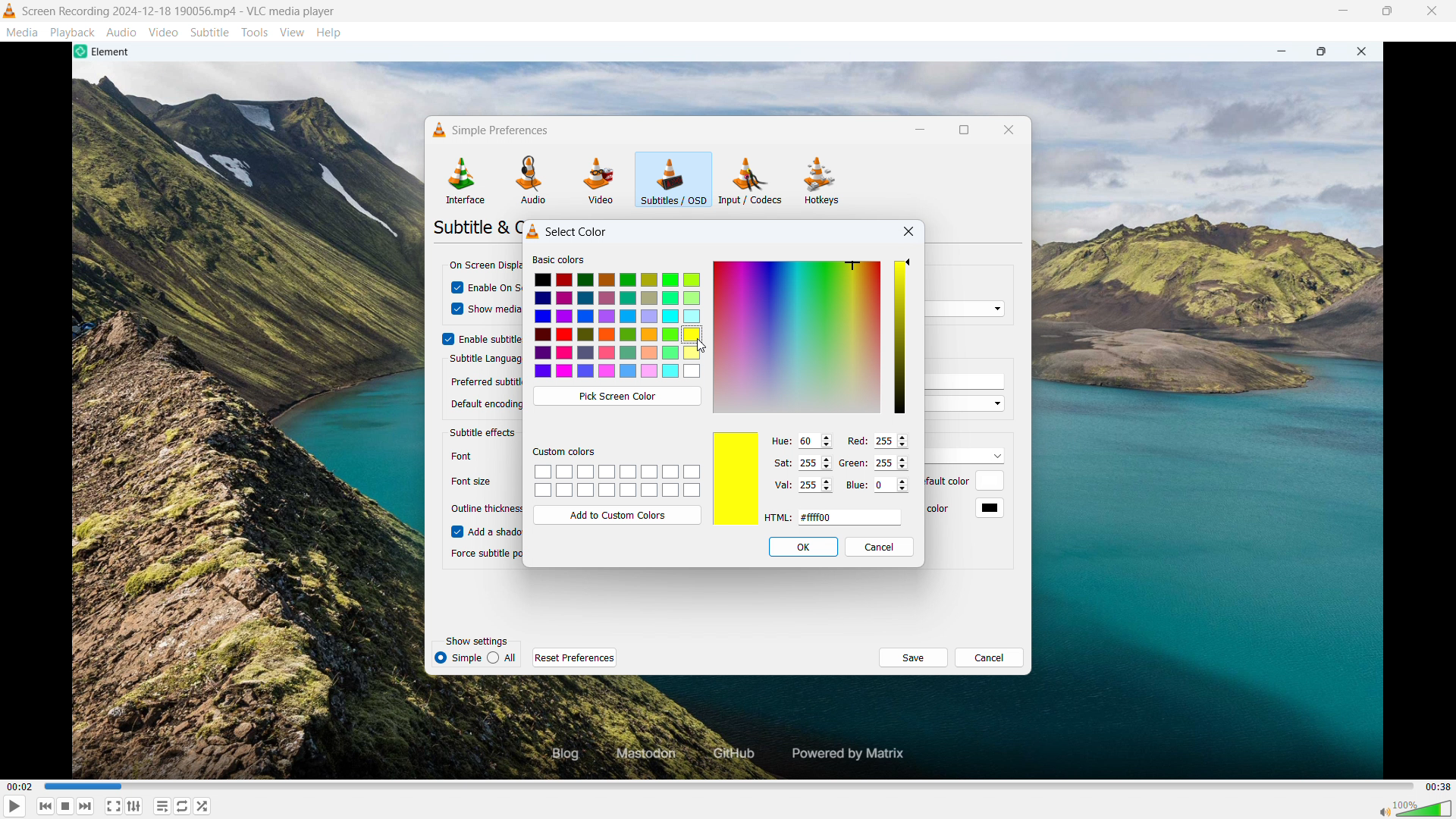  What do you see at coordinates (476, 641) in the screenshot?
I see `Show settings` at bounding box center [476, 641].